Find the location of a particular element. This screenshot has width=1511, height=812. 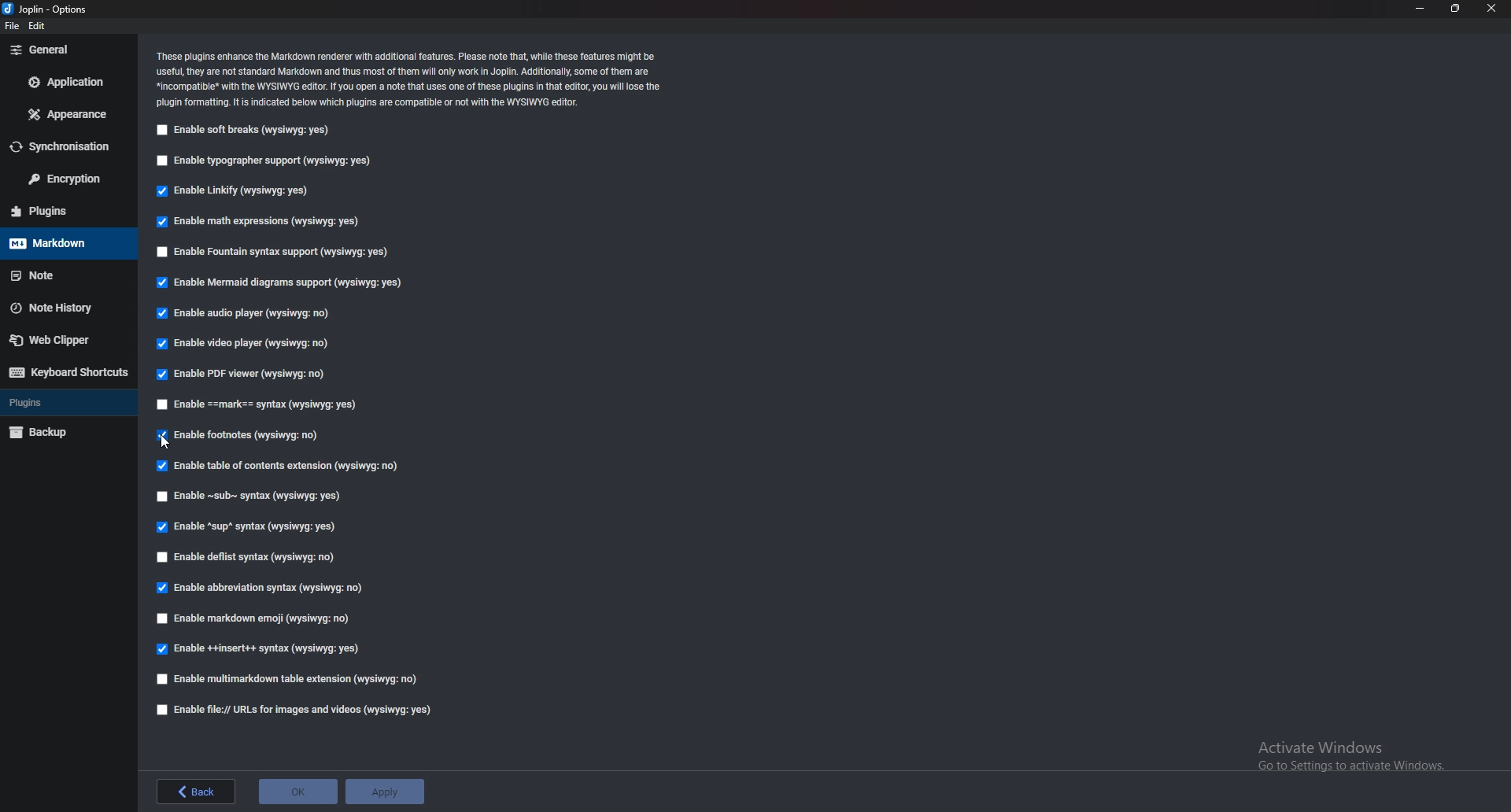

apply is located at coordinates (390, 792).